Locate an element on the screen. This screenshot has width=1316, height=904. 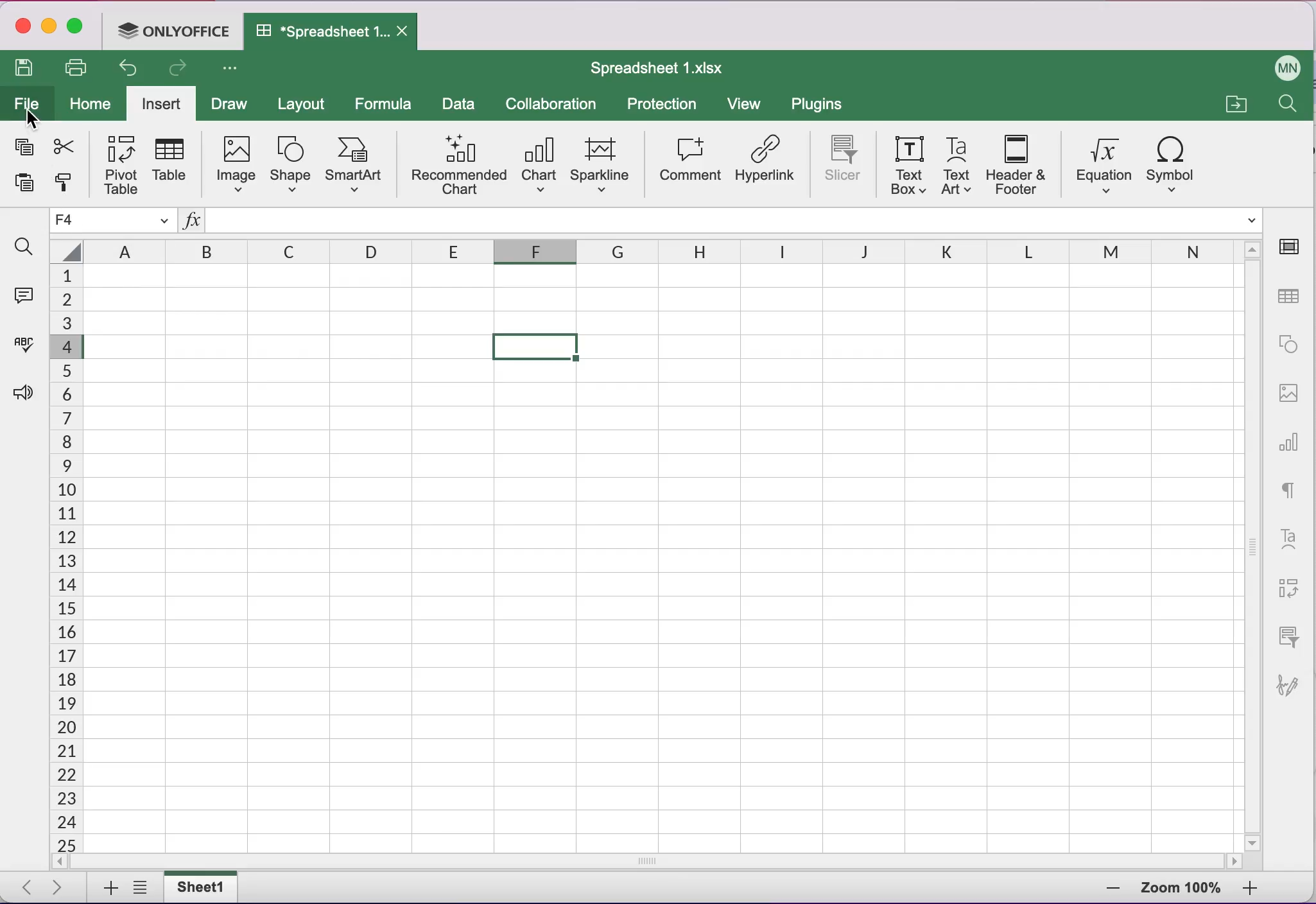
paste is located at coordinates (24, 186).